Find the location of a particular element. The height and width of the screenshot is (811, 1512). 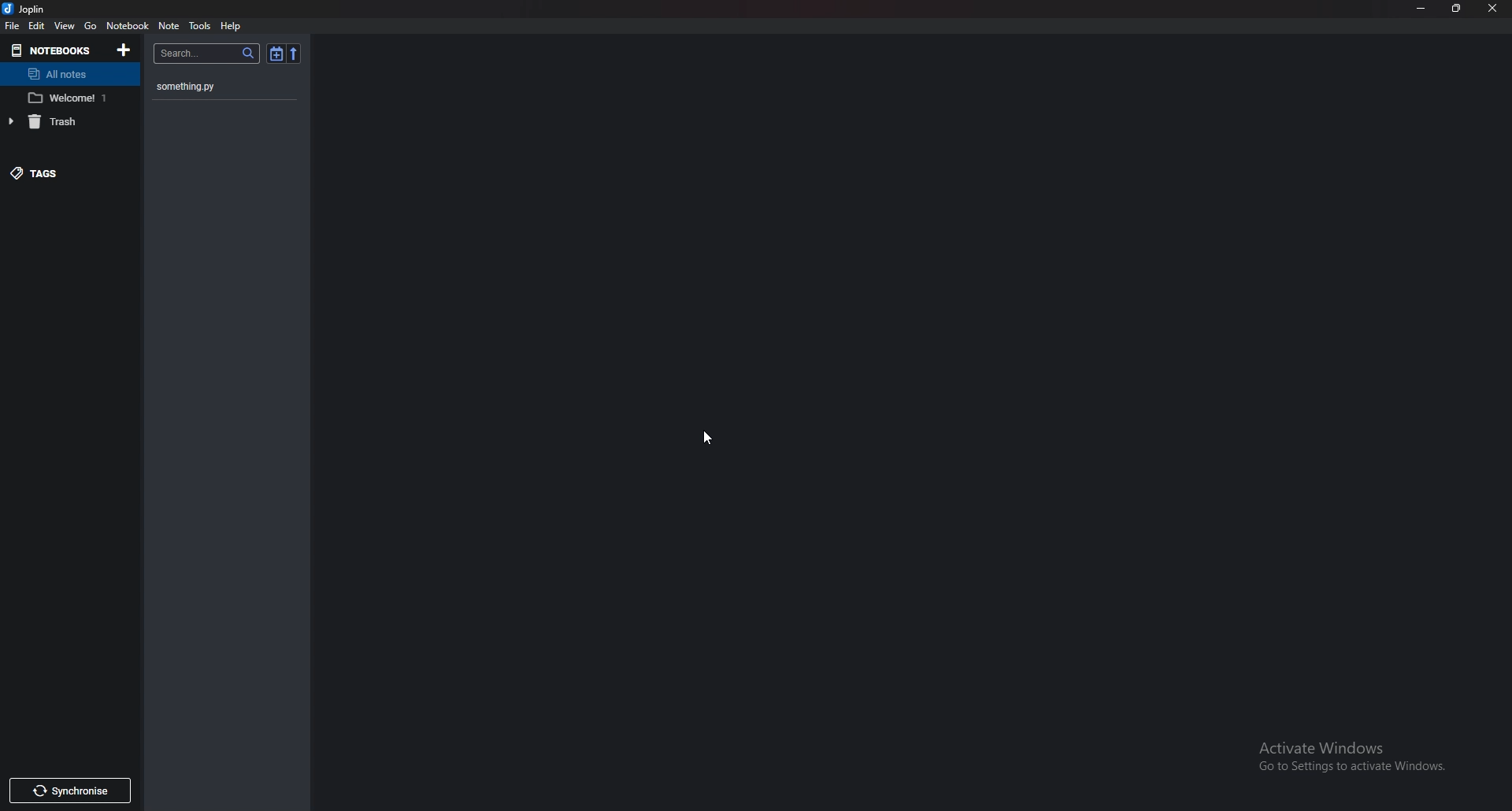

something.py is located at coordinates (204, 87).